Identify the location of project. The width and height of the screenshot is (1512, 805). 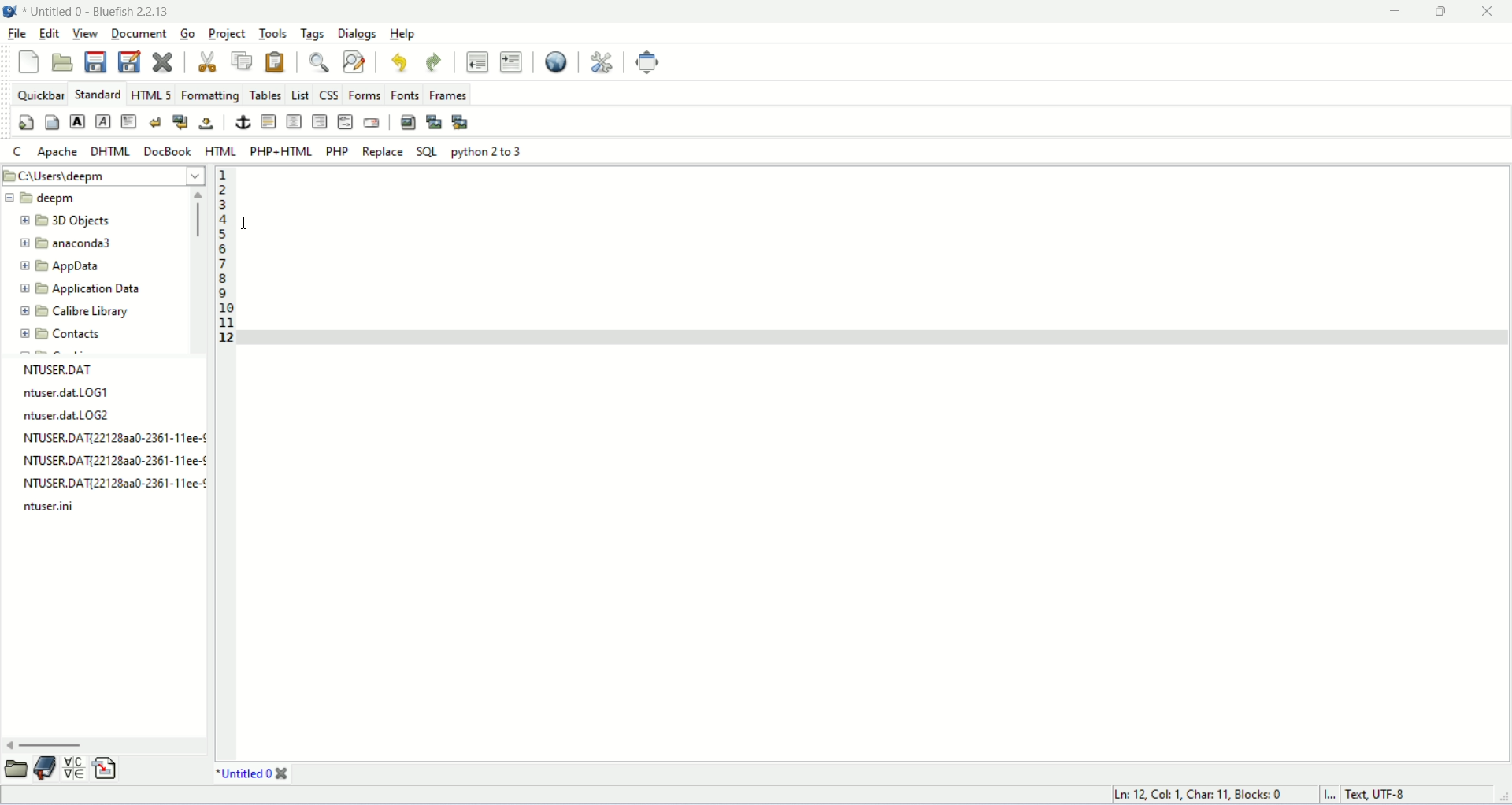
(225, 33).